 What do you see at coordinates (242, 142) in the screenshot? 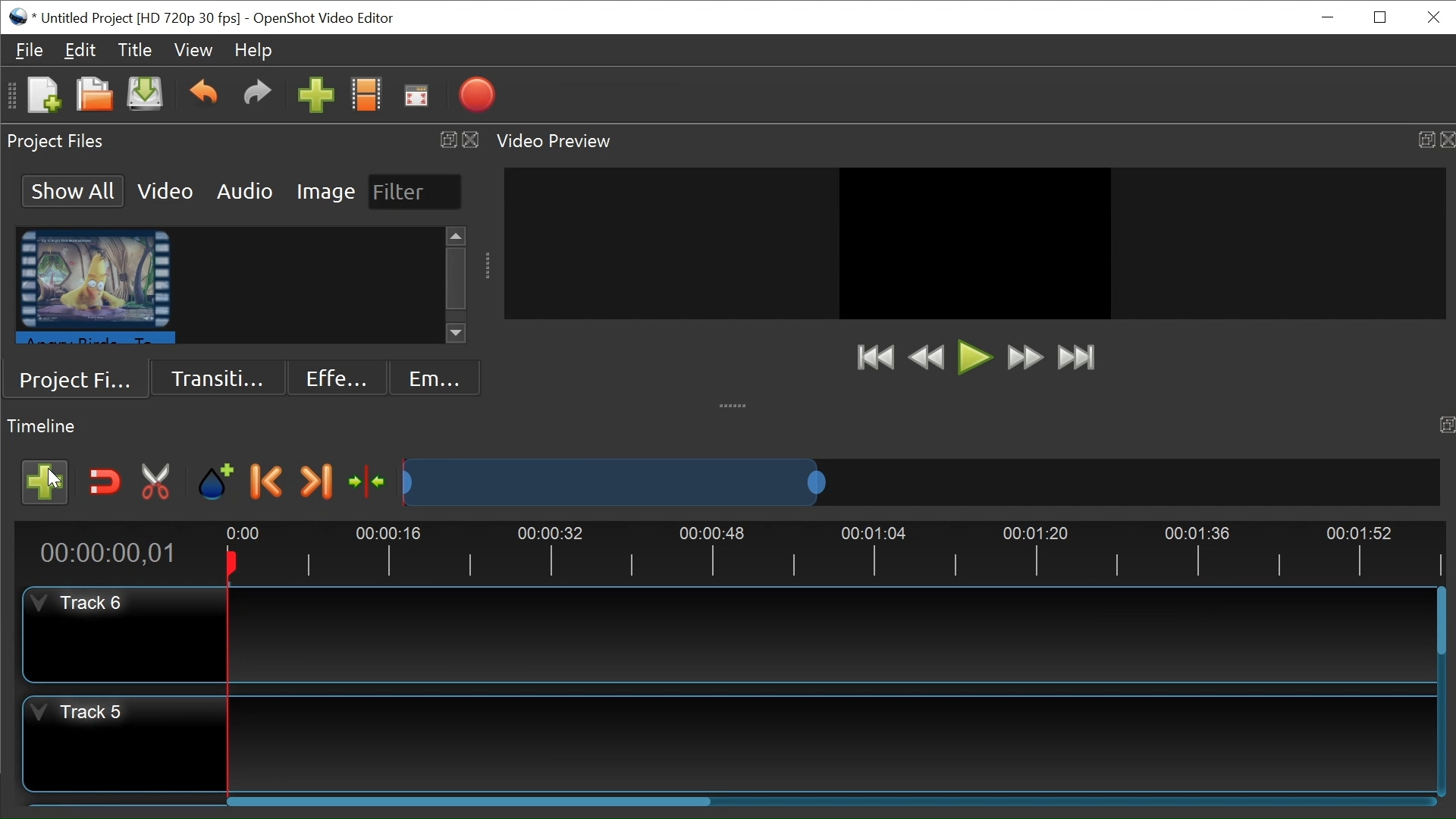
I see `Project Files` at bounding box center [242, 142].